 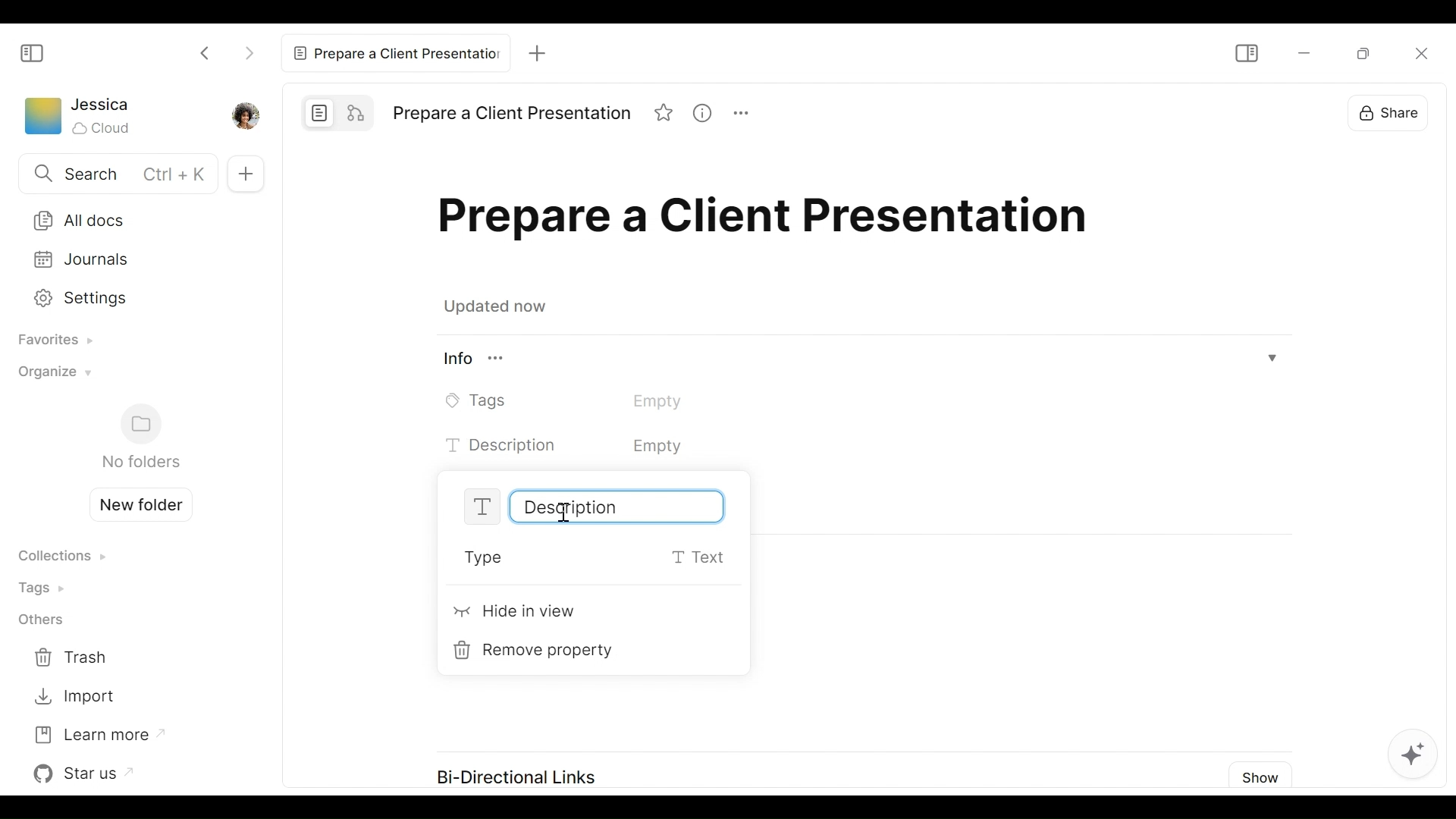 What do you see at coordinates (516, 614) in the screenshot?
I see `Hide in View` at bounding box center [516, 614].